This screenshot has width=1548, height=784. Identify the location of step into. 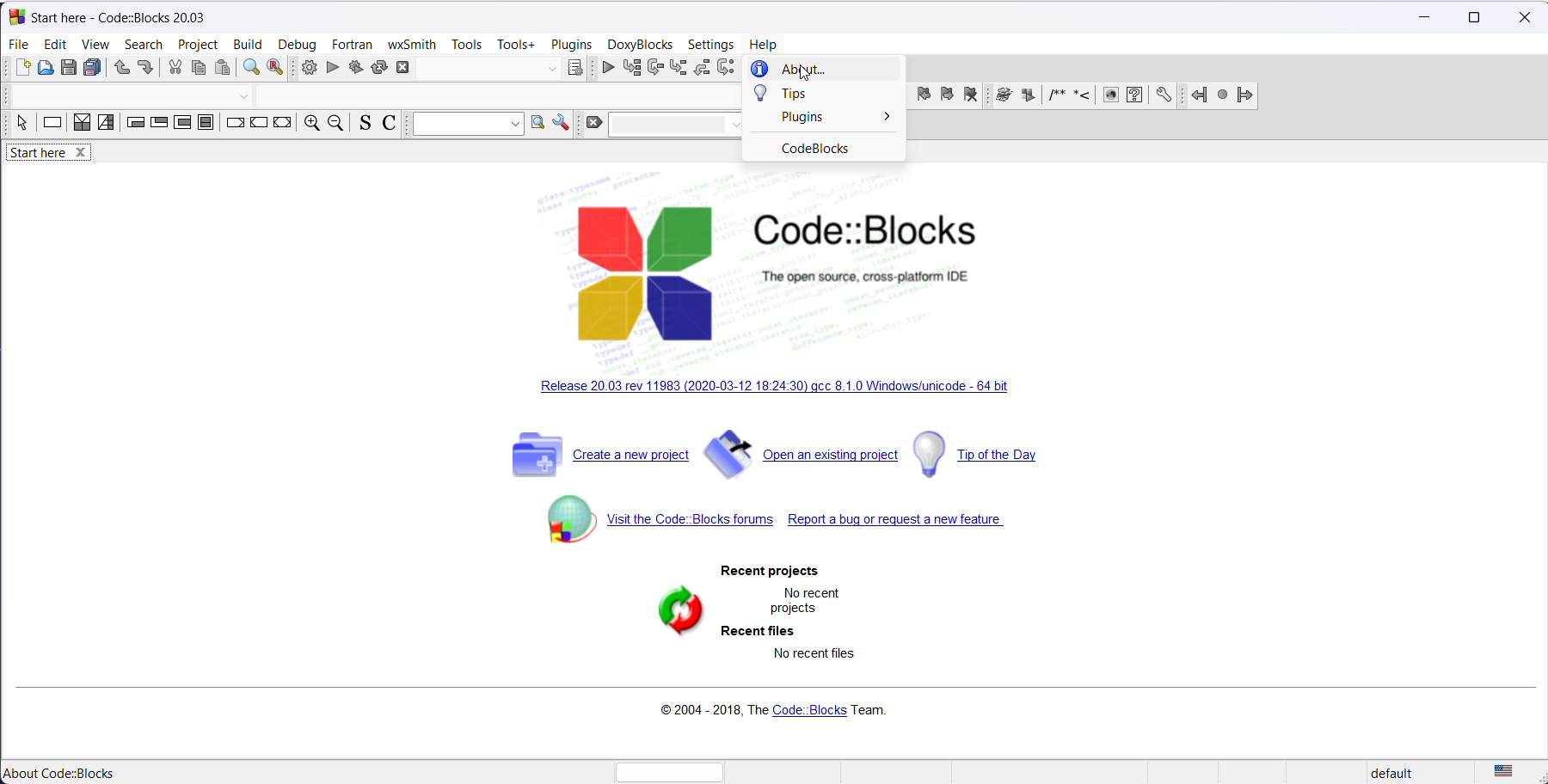
(679, 68).